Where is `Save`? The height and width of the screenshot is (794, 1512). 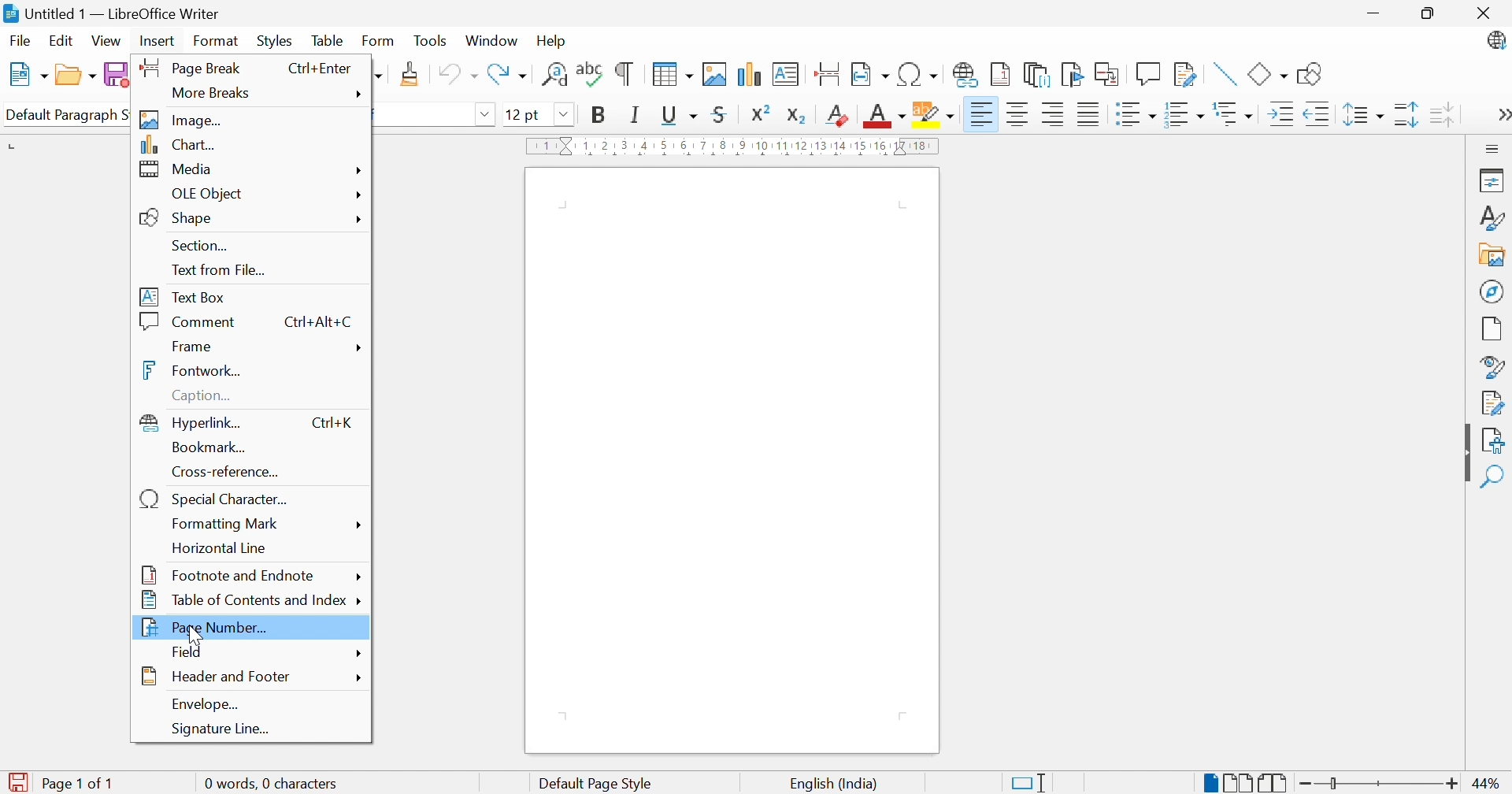 Save is located at coordinates (117, 74).